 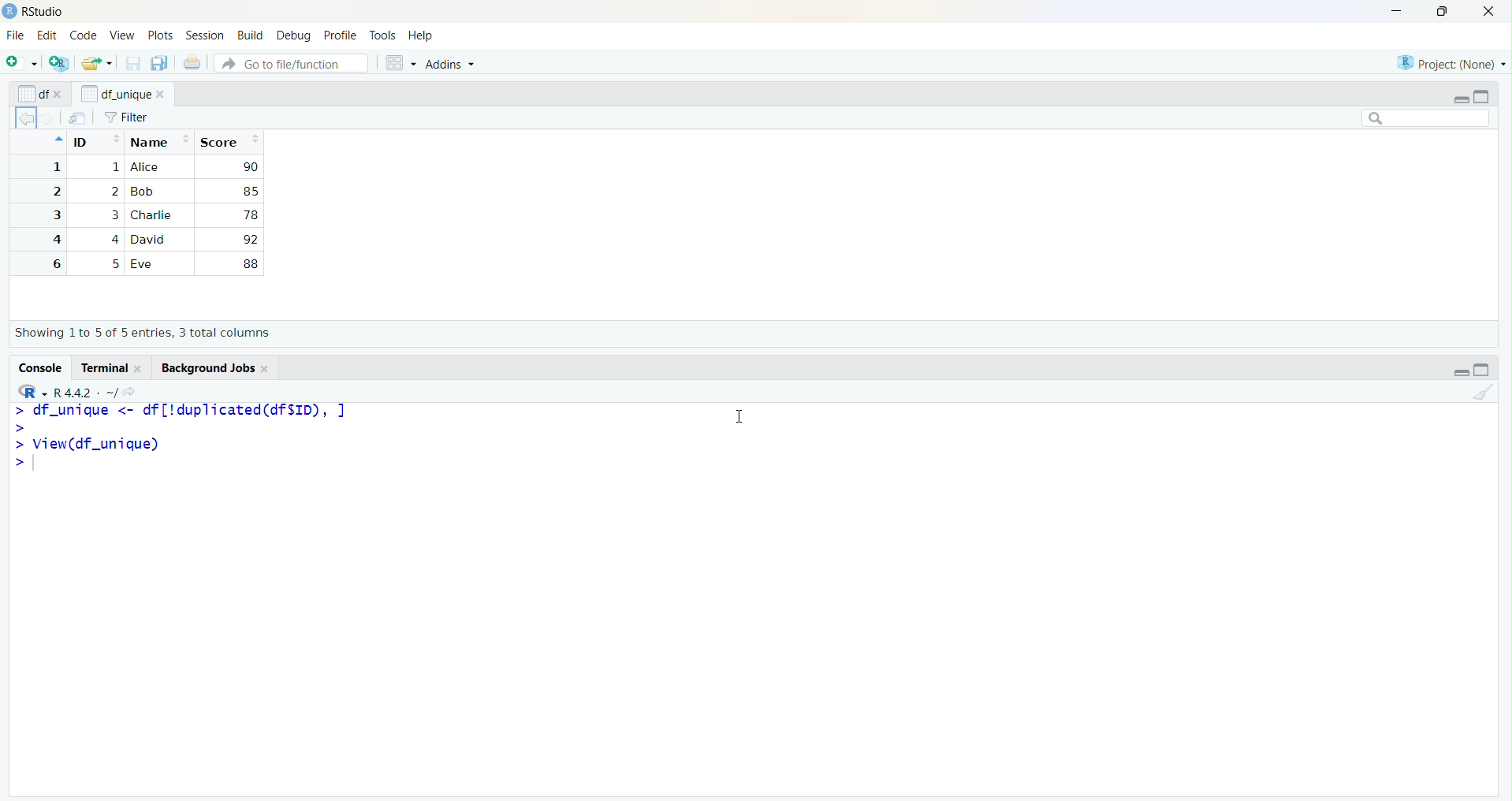 What do you see at coordinates (1488, 162) in the screenshot?
I see `scroll up` at bounding box center [1488, 162].